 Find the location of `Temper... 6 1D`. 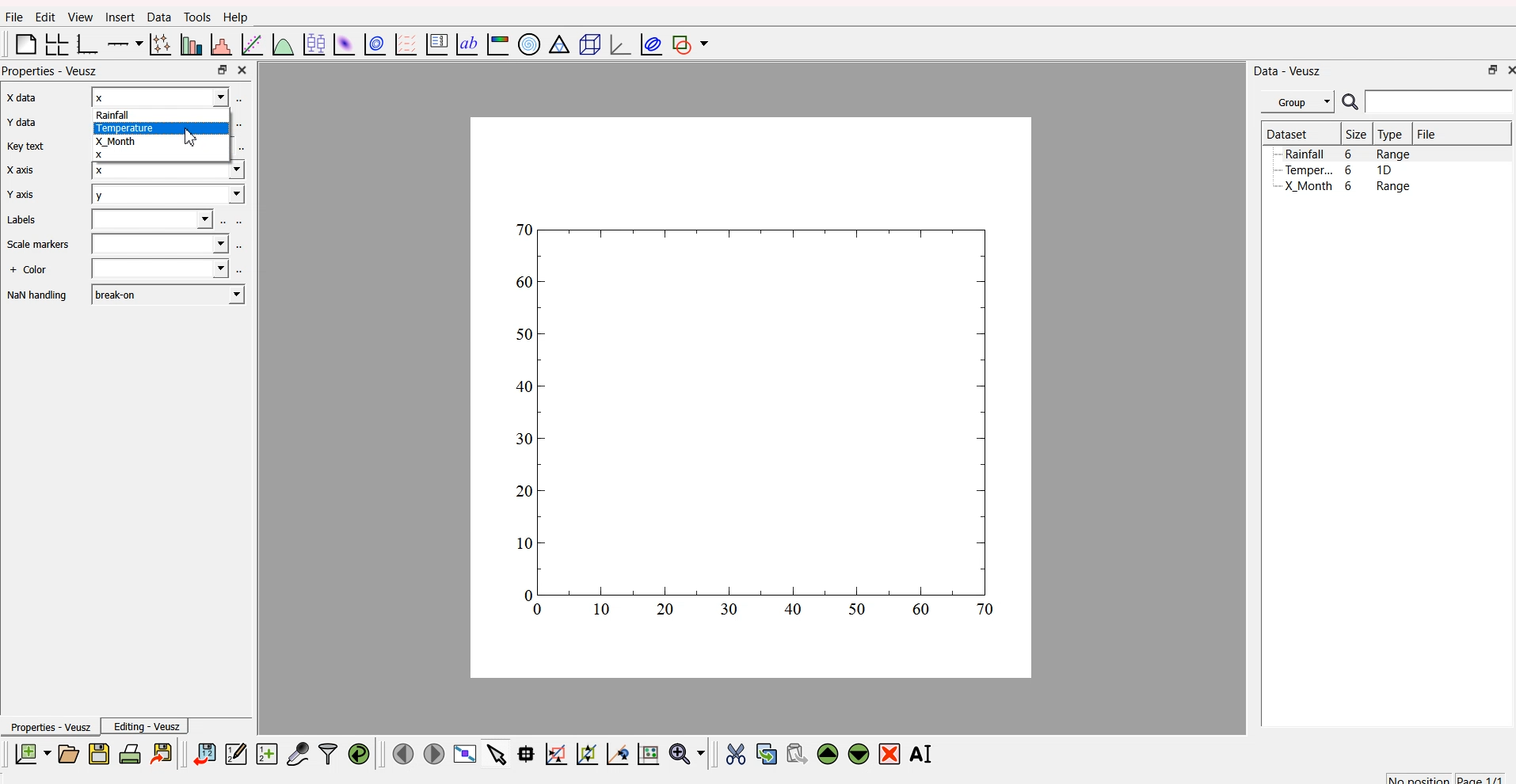

Temper... 6 1D is located at coordinates (1338, 169).